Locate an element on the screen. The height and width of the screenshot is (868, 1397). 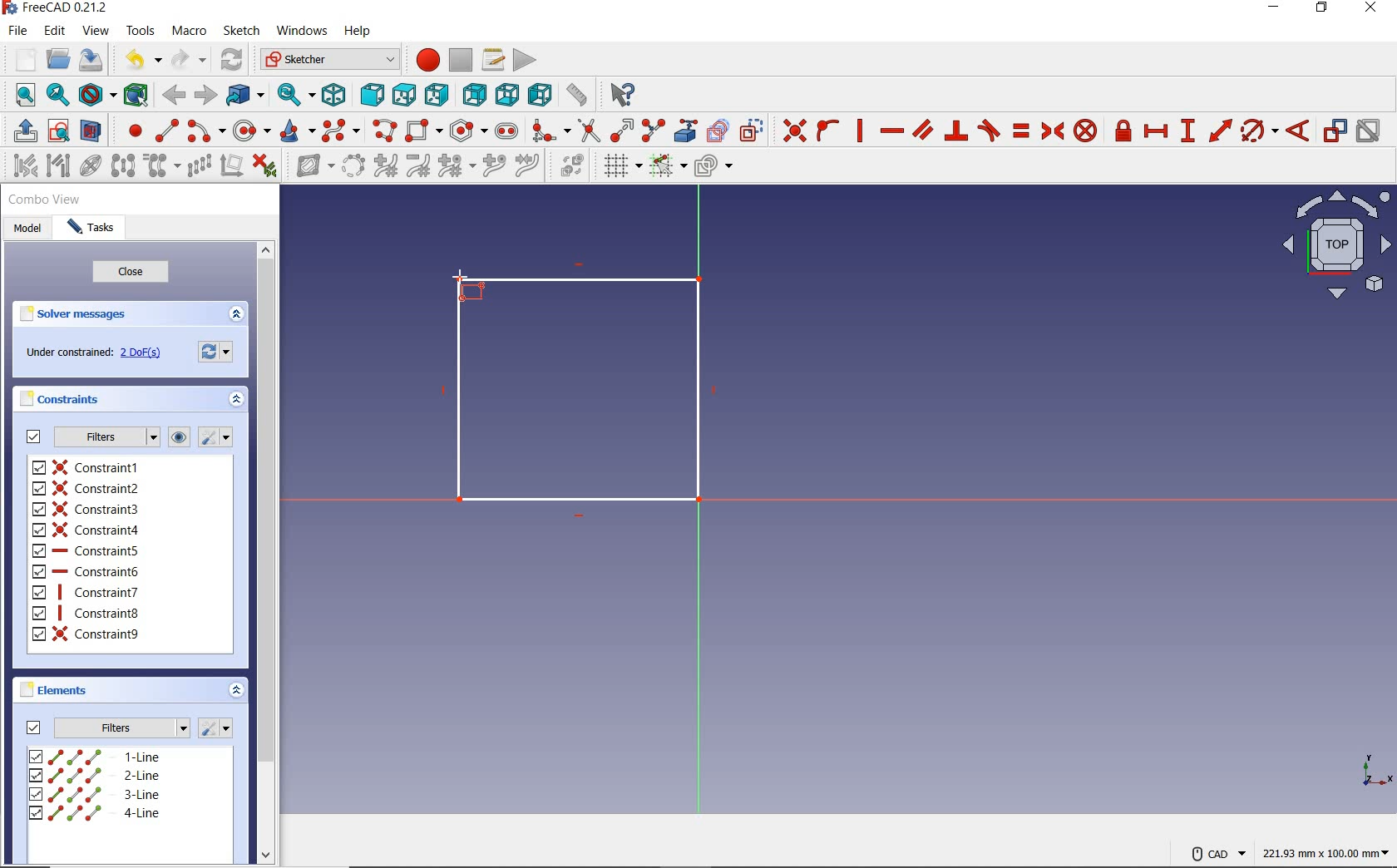
select associated geometry is located at coordinates (59, 165).